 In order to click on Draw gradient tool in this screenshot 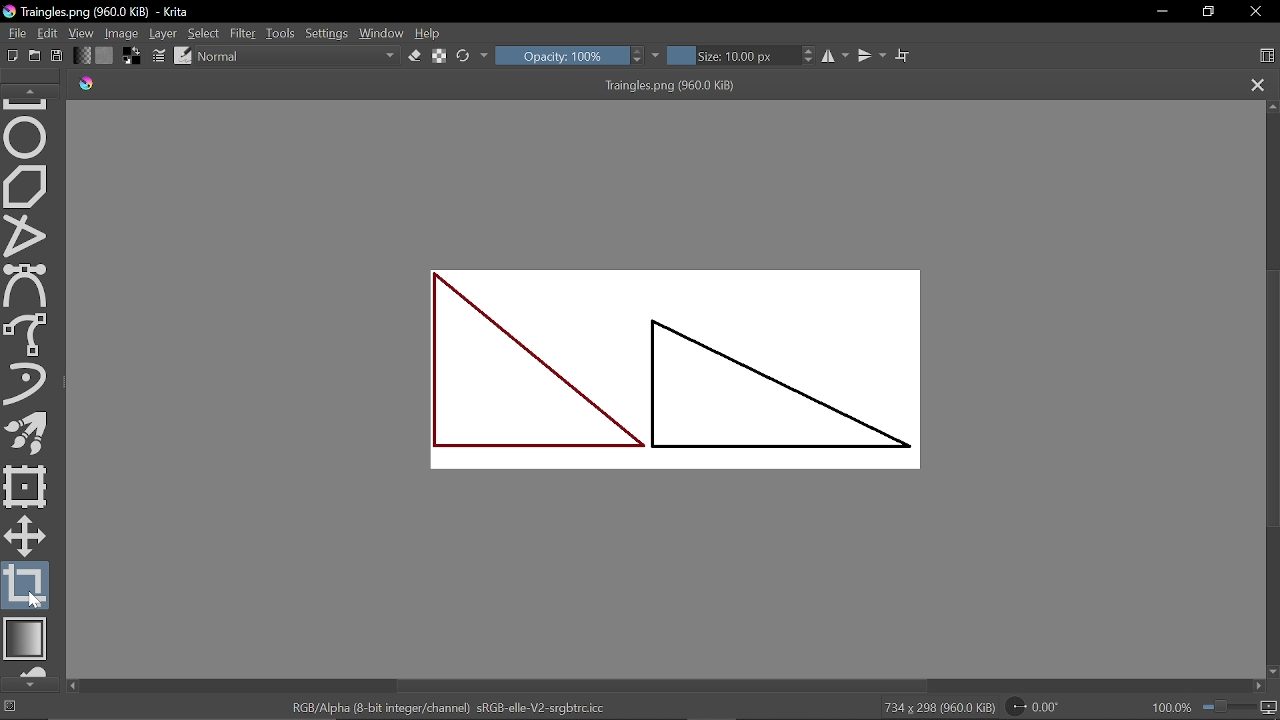, I will do `click(28, 640)`.